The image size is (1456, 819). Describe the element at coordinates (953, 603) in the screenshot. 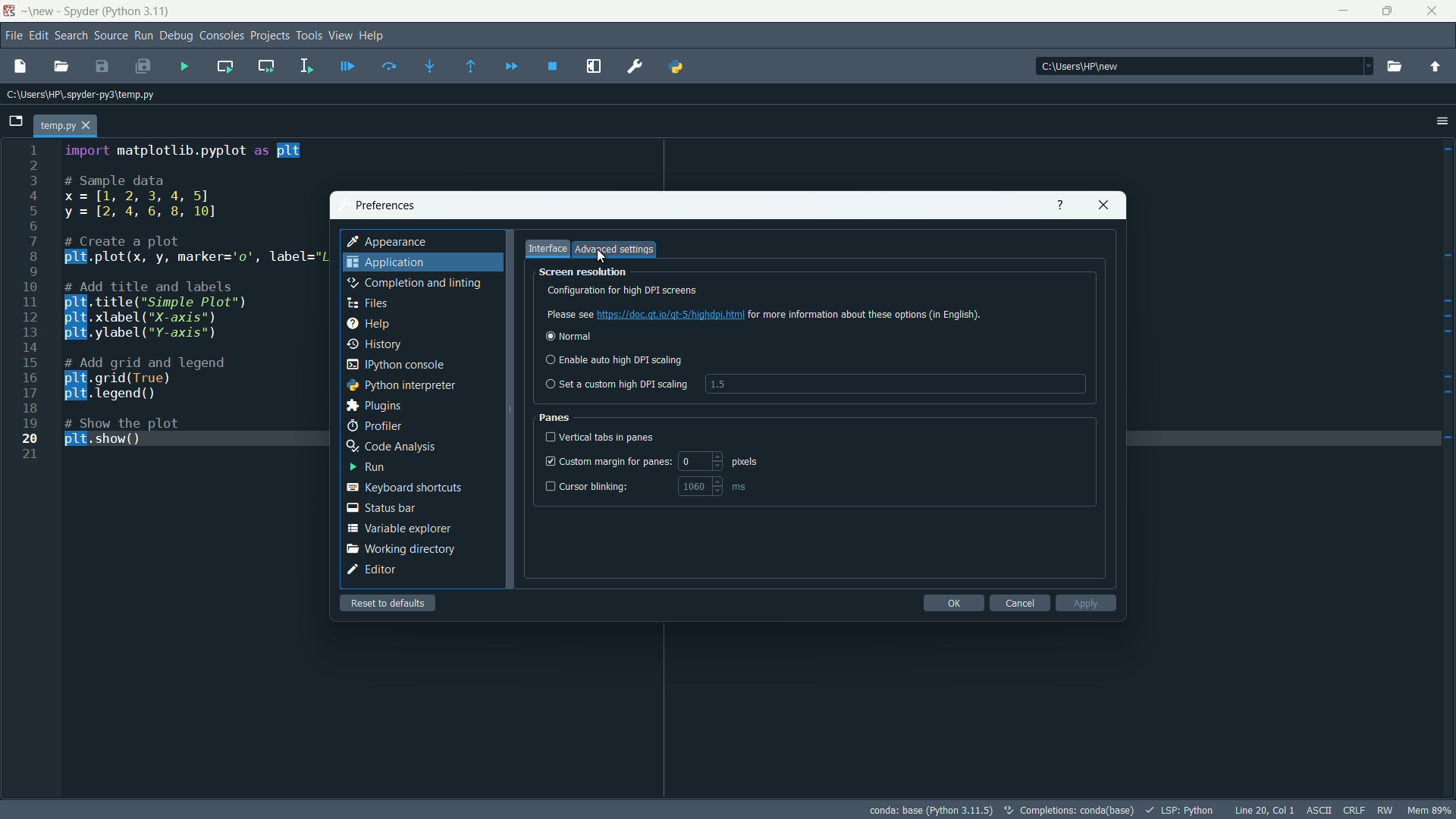

I see `ok` at that location.